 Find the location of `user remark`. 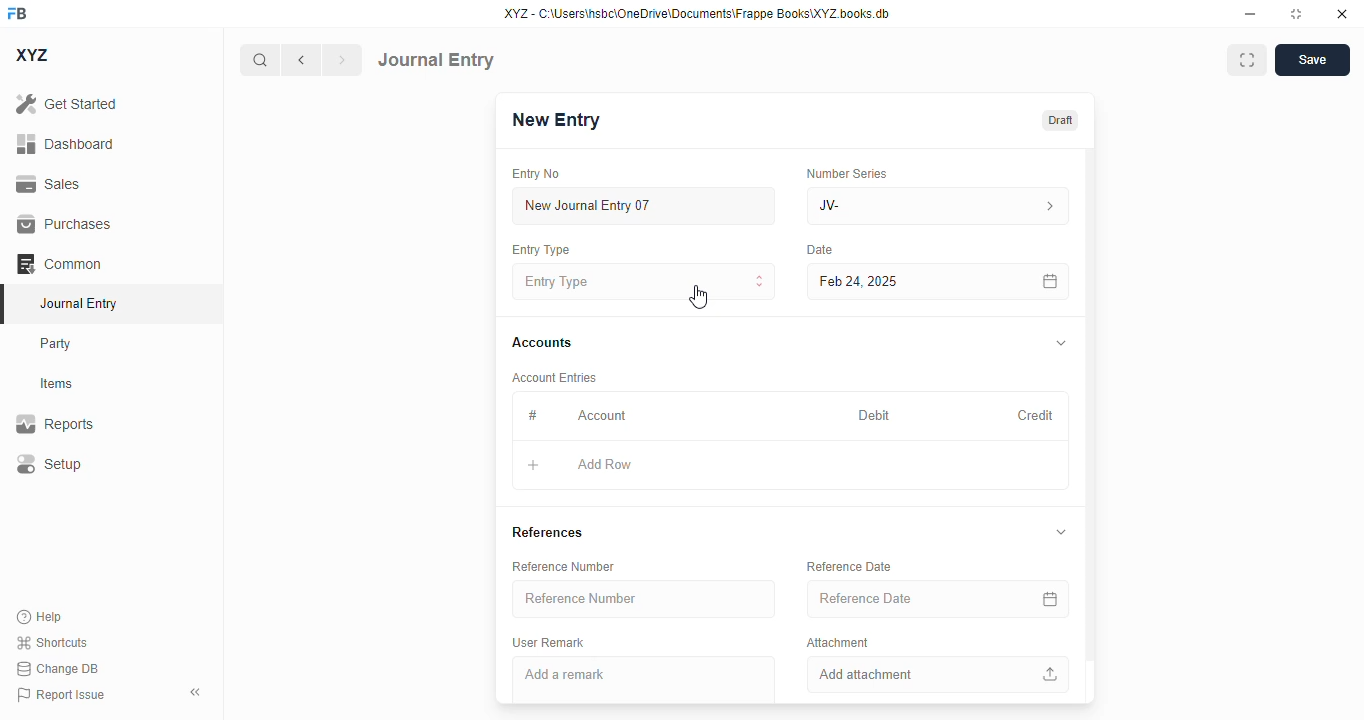

user remark is located at coordinates (550, 642).